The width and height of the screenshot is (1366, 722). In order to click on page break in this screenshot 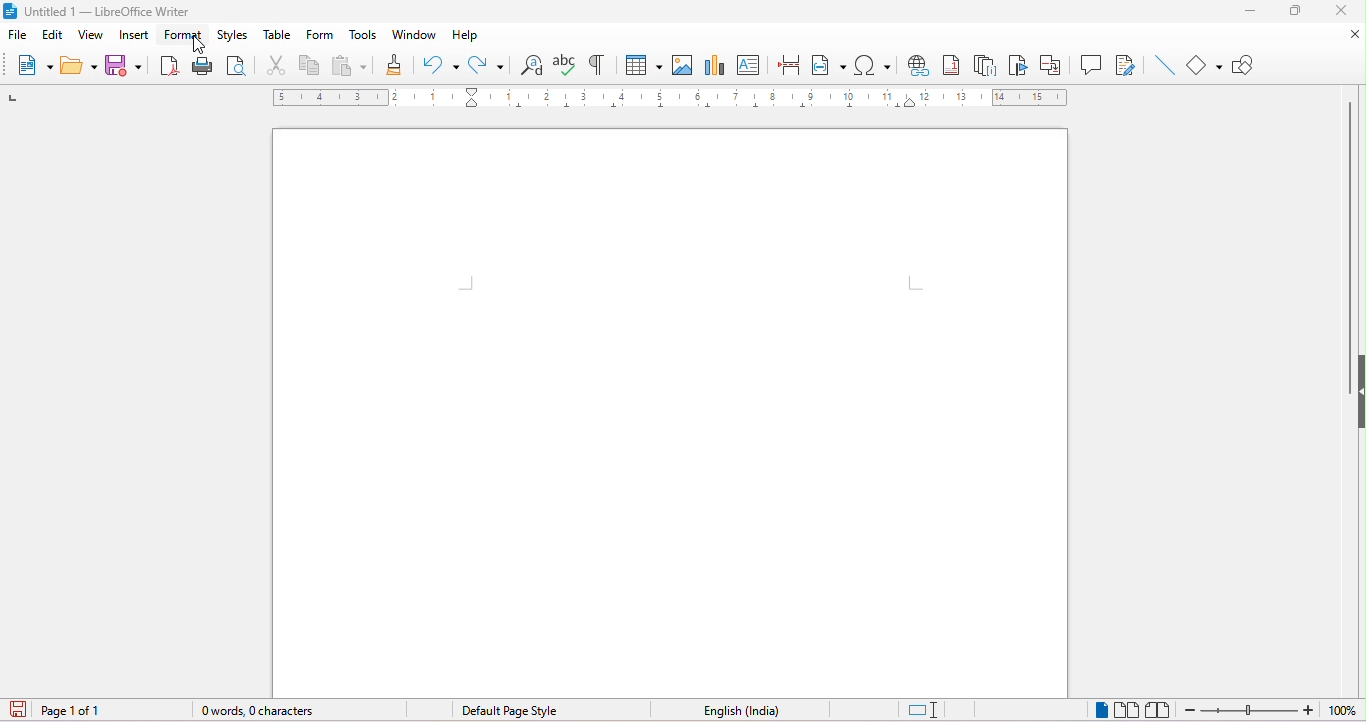, I will do `click(788, 62)`.